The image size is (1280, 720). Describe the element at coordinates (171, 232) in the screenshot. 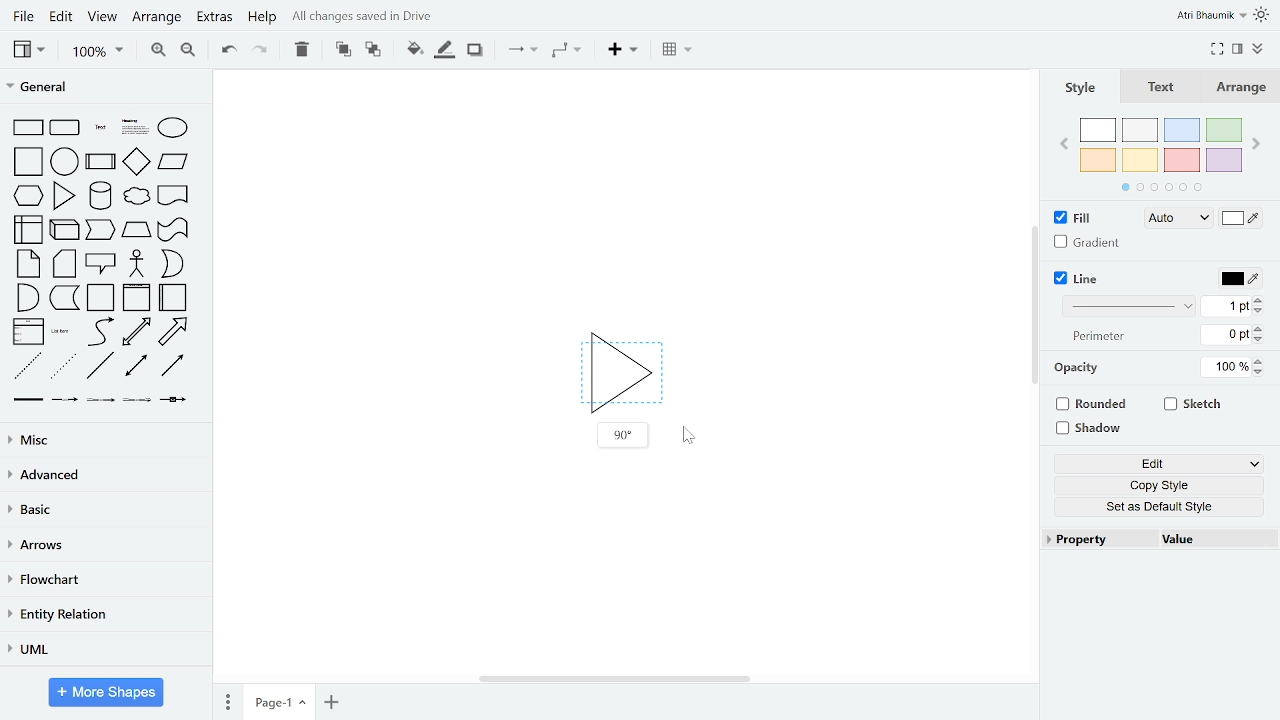

I see `tape` at that location.